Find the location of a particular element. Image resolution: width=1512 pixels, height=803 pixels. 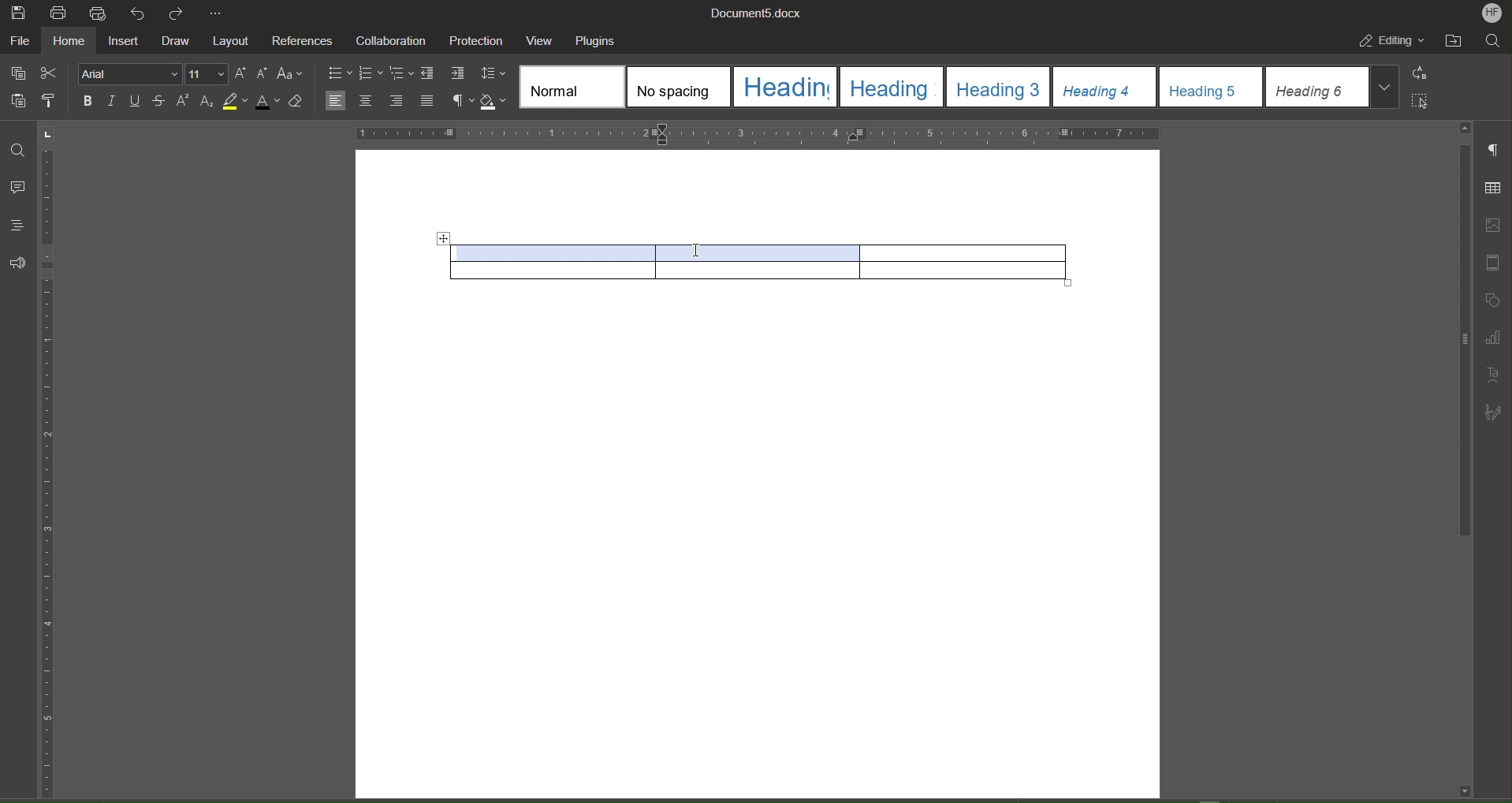

Multilevel list is located at coordinates (402, 74).